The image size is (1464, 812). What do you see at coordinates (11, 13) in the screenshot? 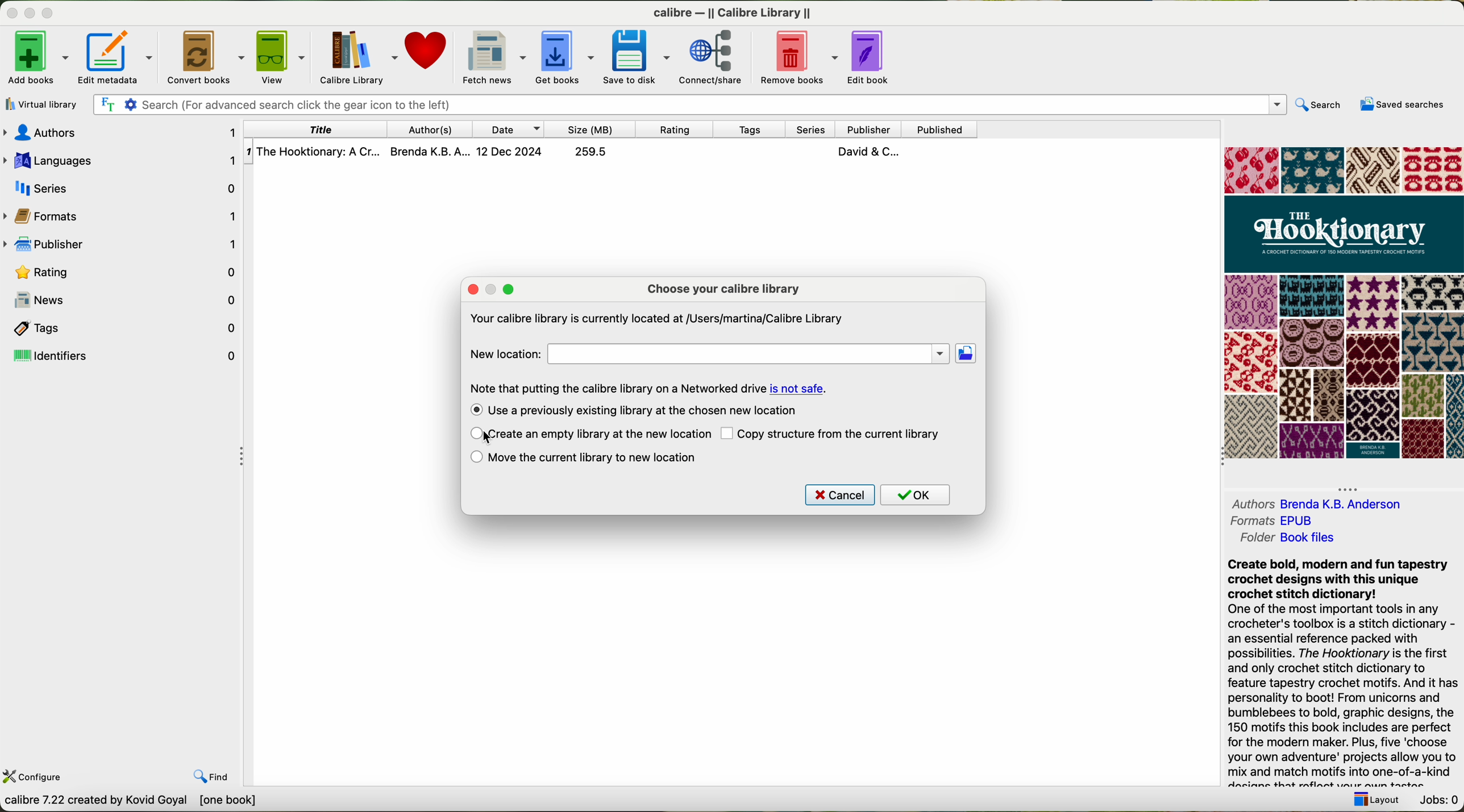
I see `close program` at bounding box center [11, 13].